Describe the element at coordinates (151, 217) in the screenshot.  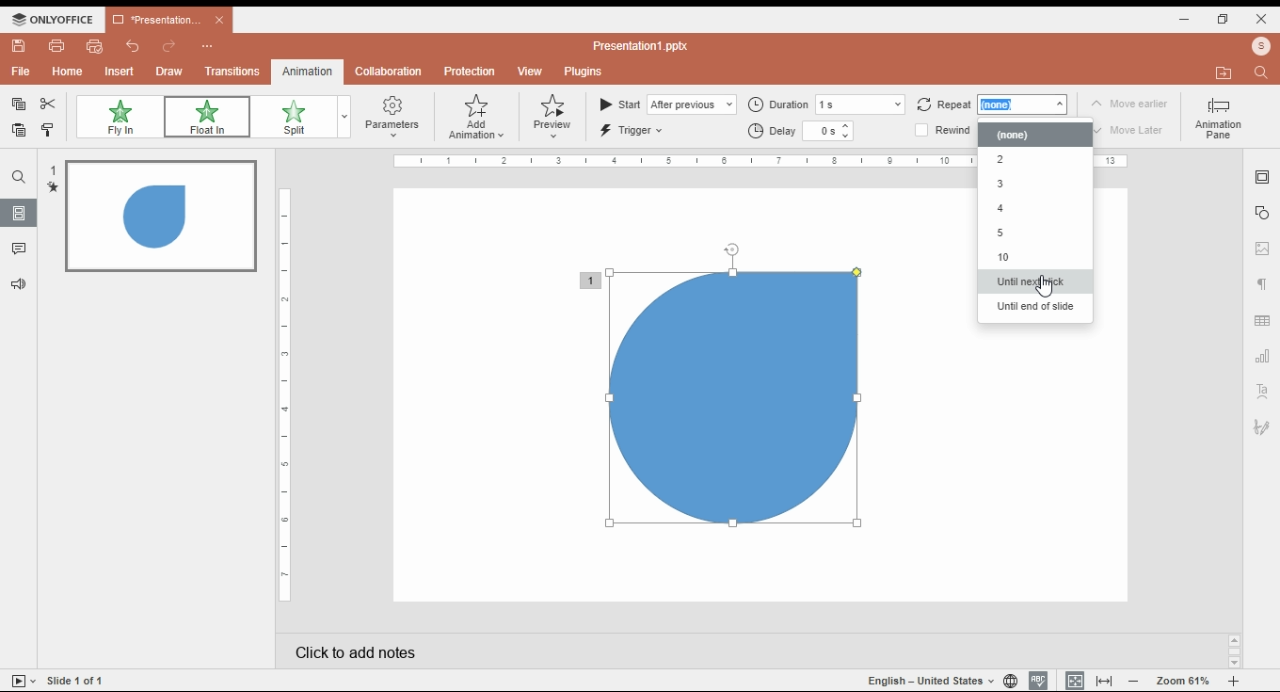
I see `slide 1` at that location.